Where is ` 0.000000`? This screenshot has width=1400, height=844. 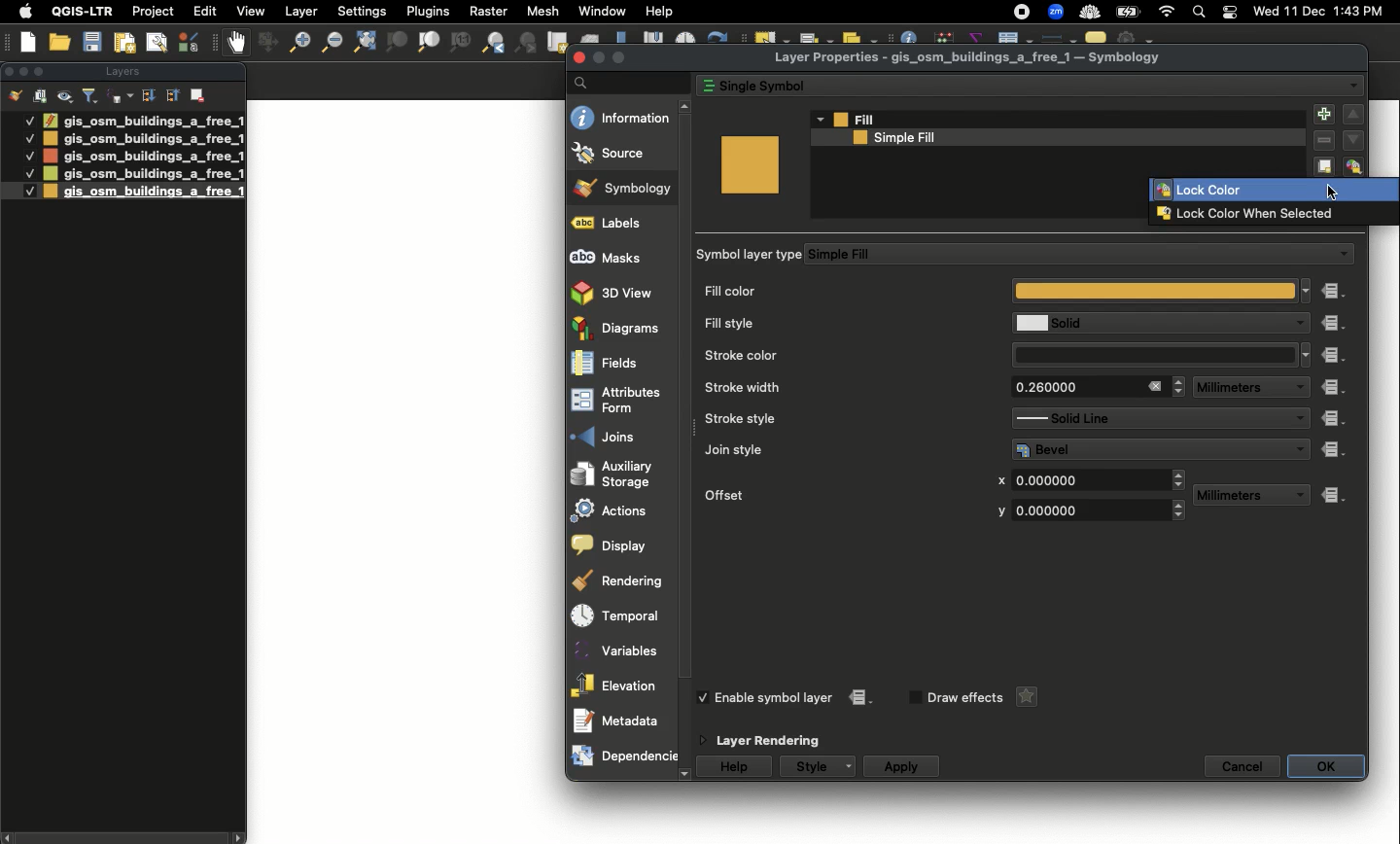  0.000000 is located at coordinates (1088, 478).